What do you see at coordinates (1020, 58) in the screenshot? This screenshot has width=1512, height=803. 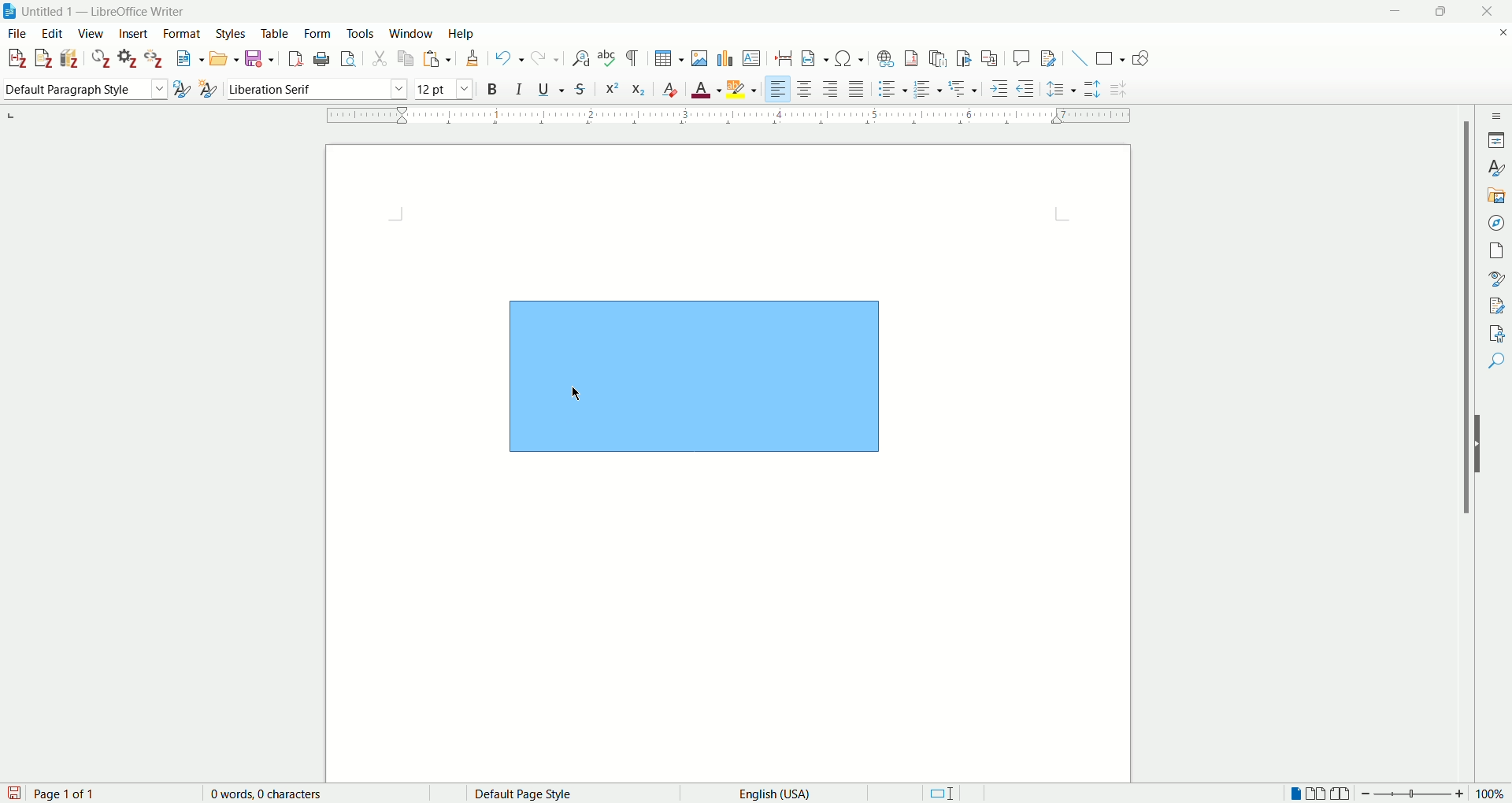 I see `insert comment` at bounding box center [1020, 58].